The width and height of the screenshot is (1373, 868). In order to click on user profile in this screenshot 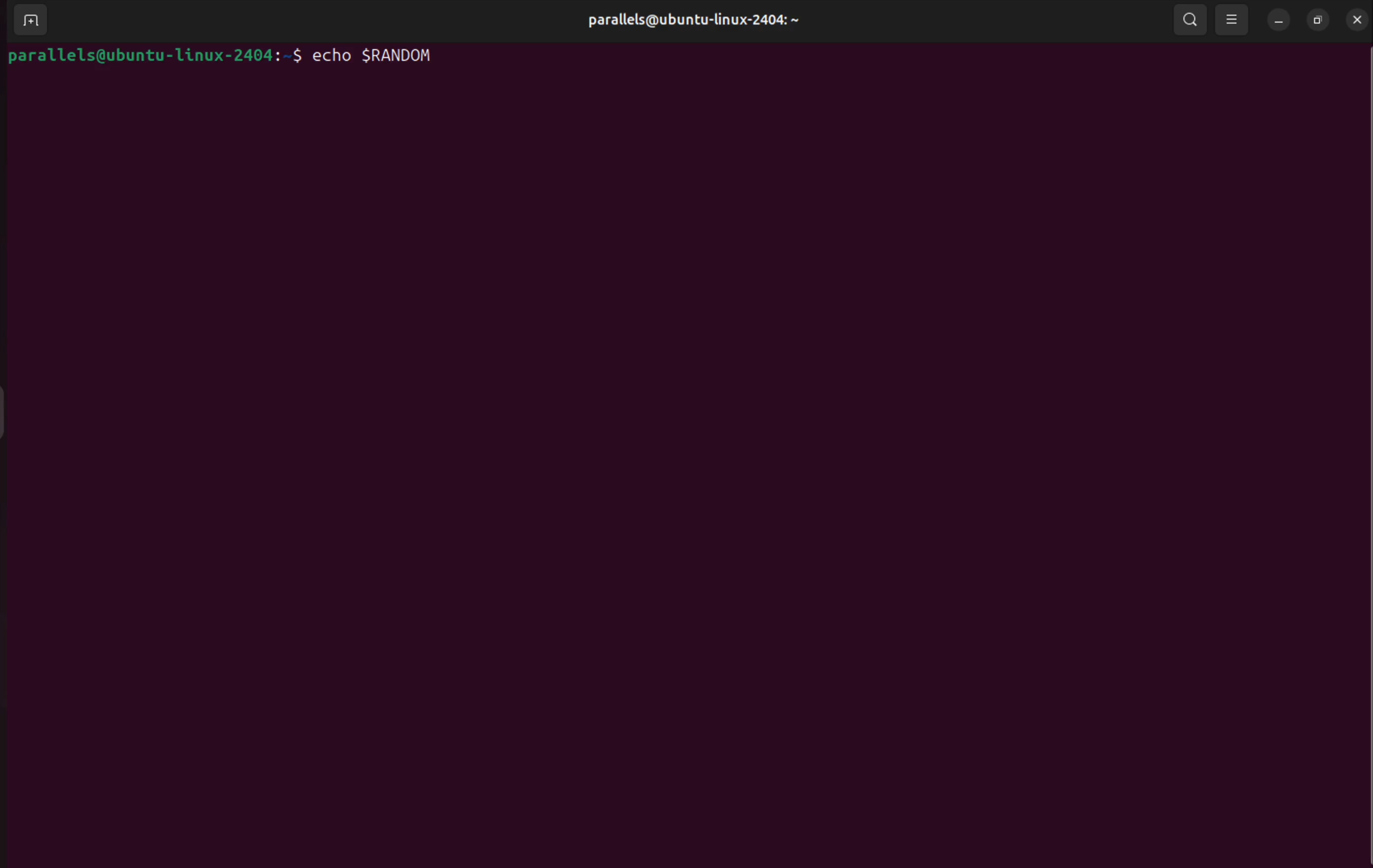, I will do `click(688, 23)`.